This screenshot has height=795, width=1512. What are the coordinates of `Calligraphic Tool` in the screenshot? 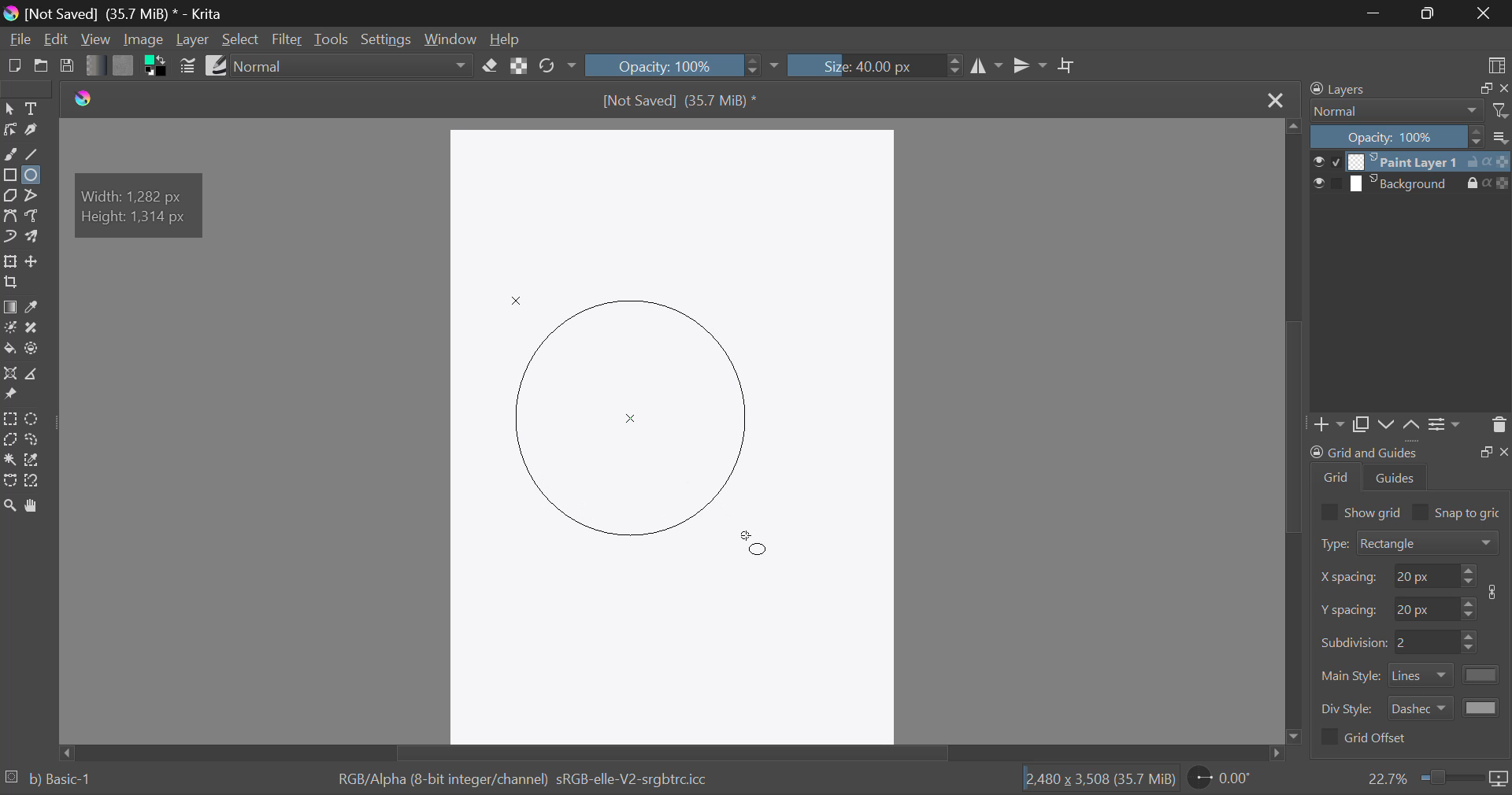 It's located at (32, 130).